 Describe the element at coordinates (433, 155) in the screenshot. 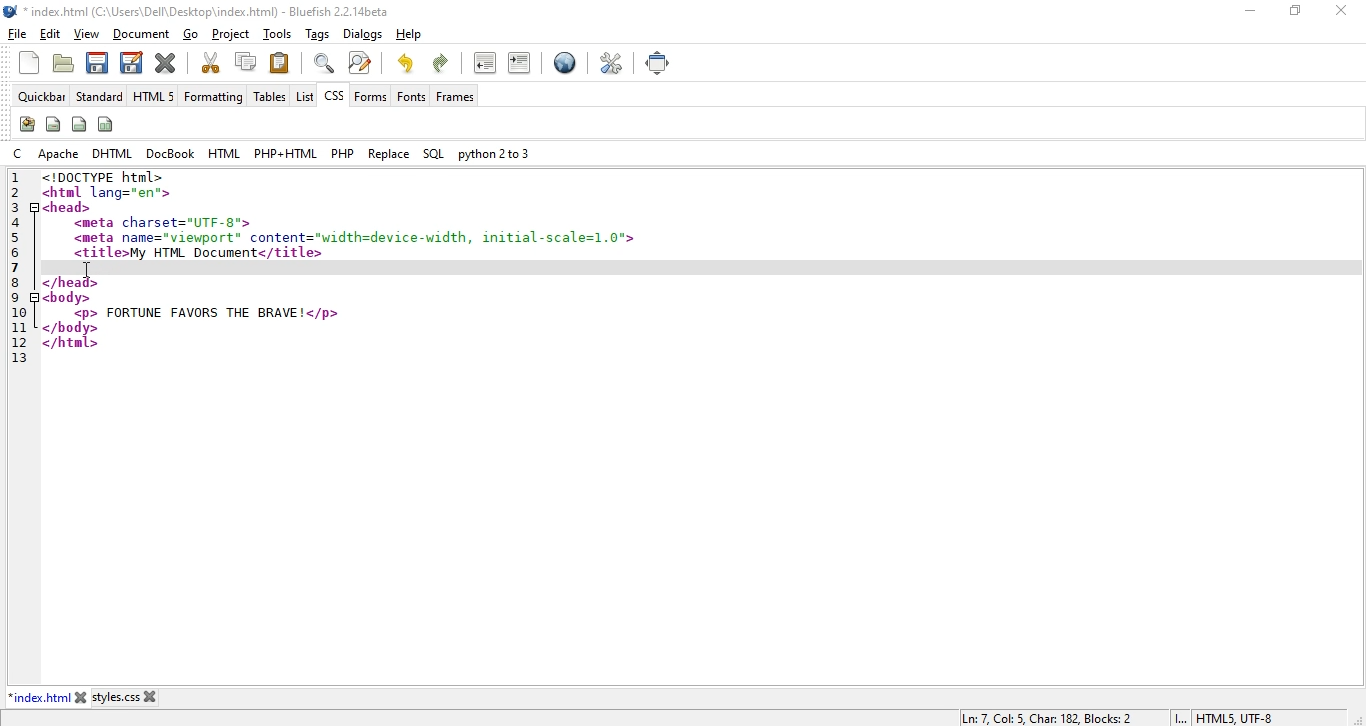

I see `sql` at that location.